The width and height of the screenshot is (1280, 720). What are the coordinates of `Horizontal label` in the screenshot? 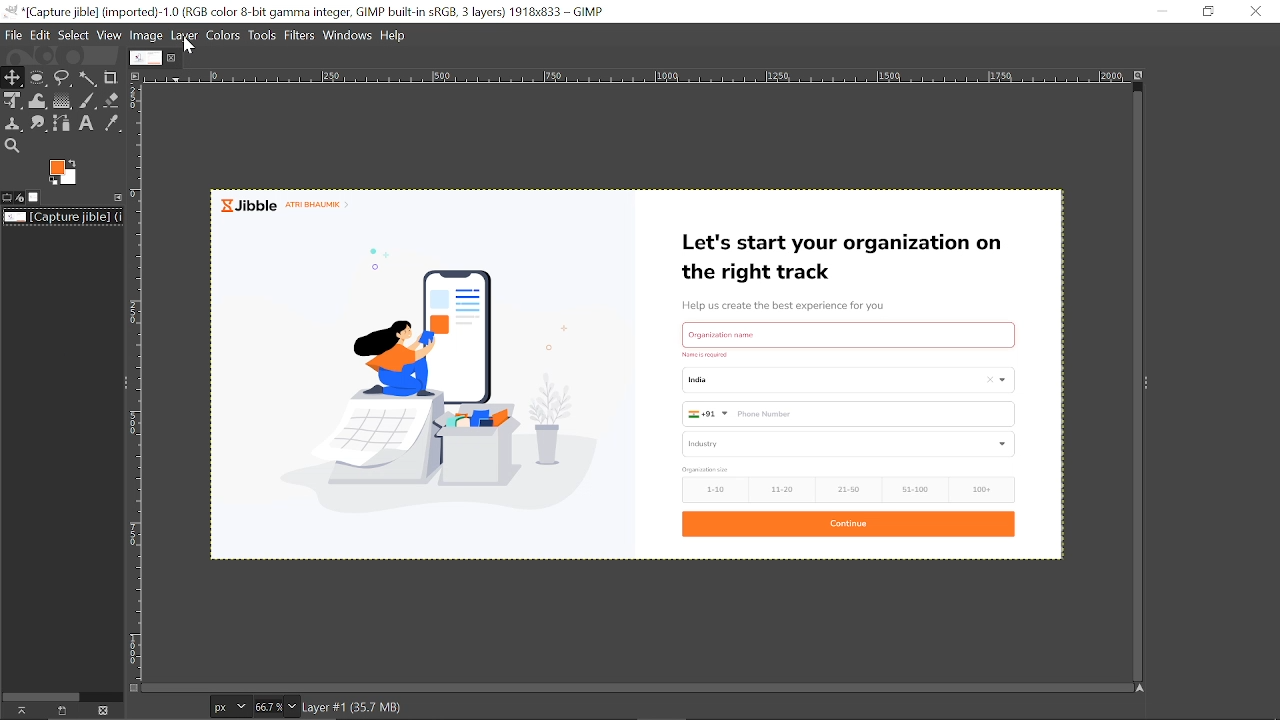 It's located at (635, 78).